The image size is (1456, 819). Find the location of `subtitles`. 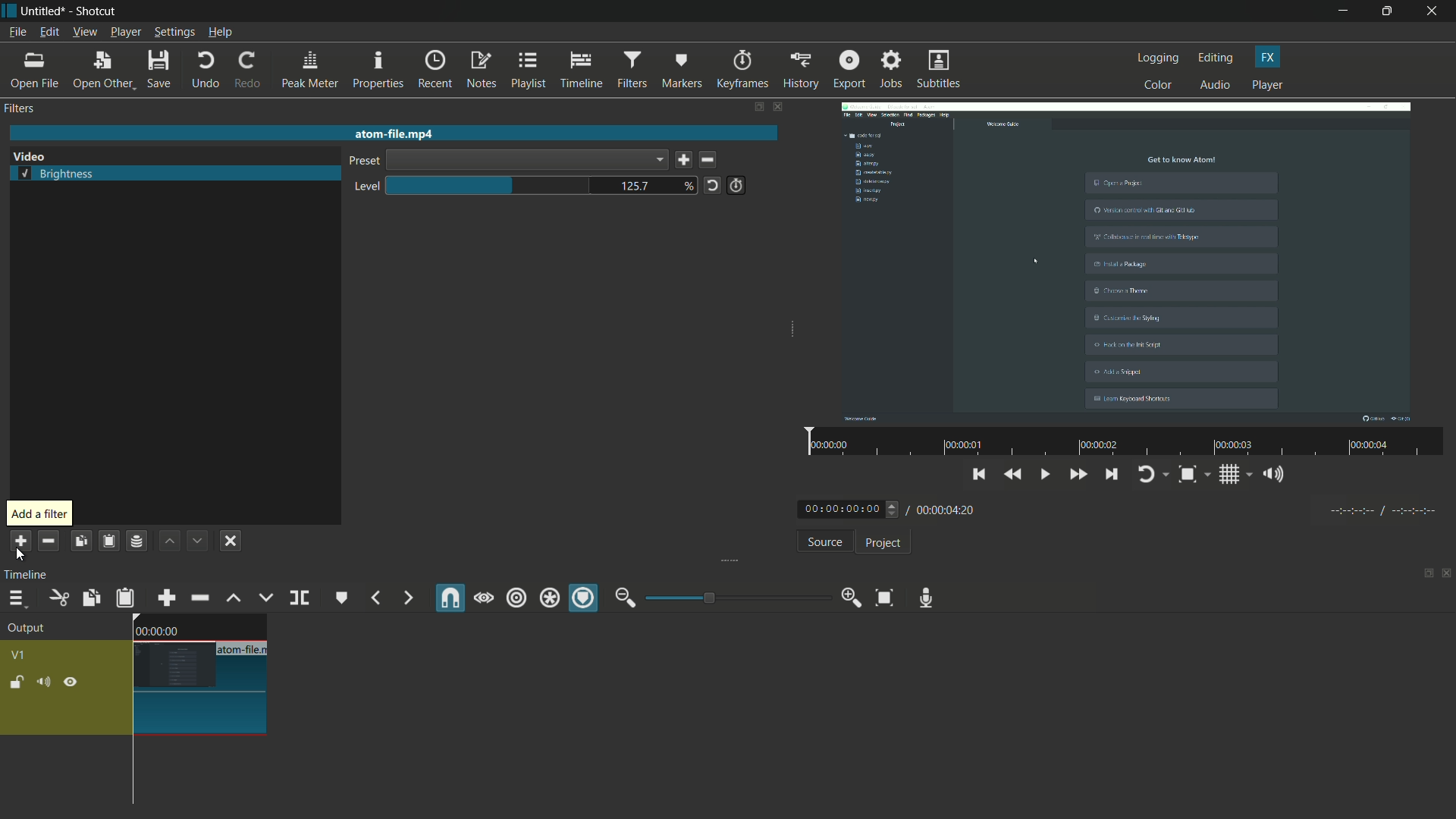

subtitles is located at coordinates (940, 71).